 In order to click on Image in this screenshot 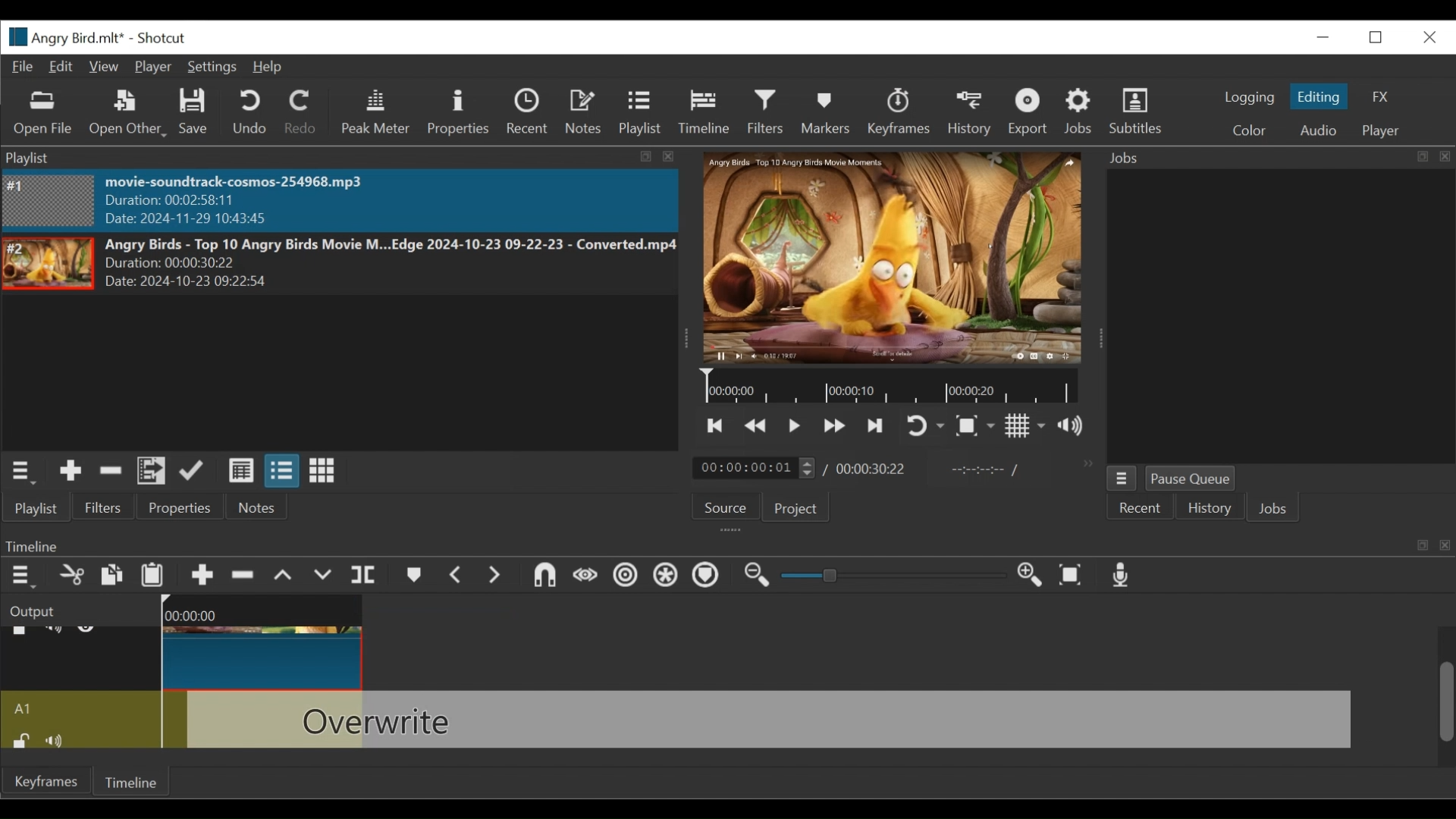, I will do `click(49, 200)`.